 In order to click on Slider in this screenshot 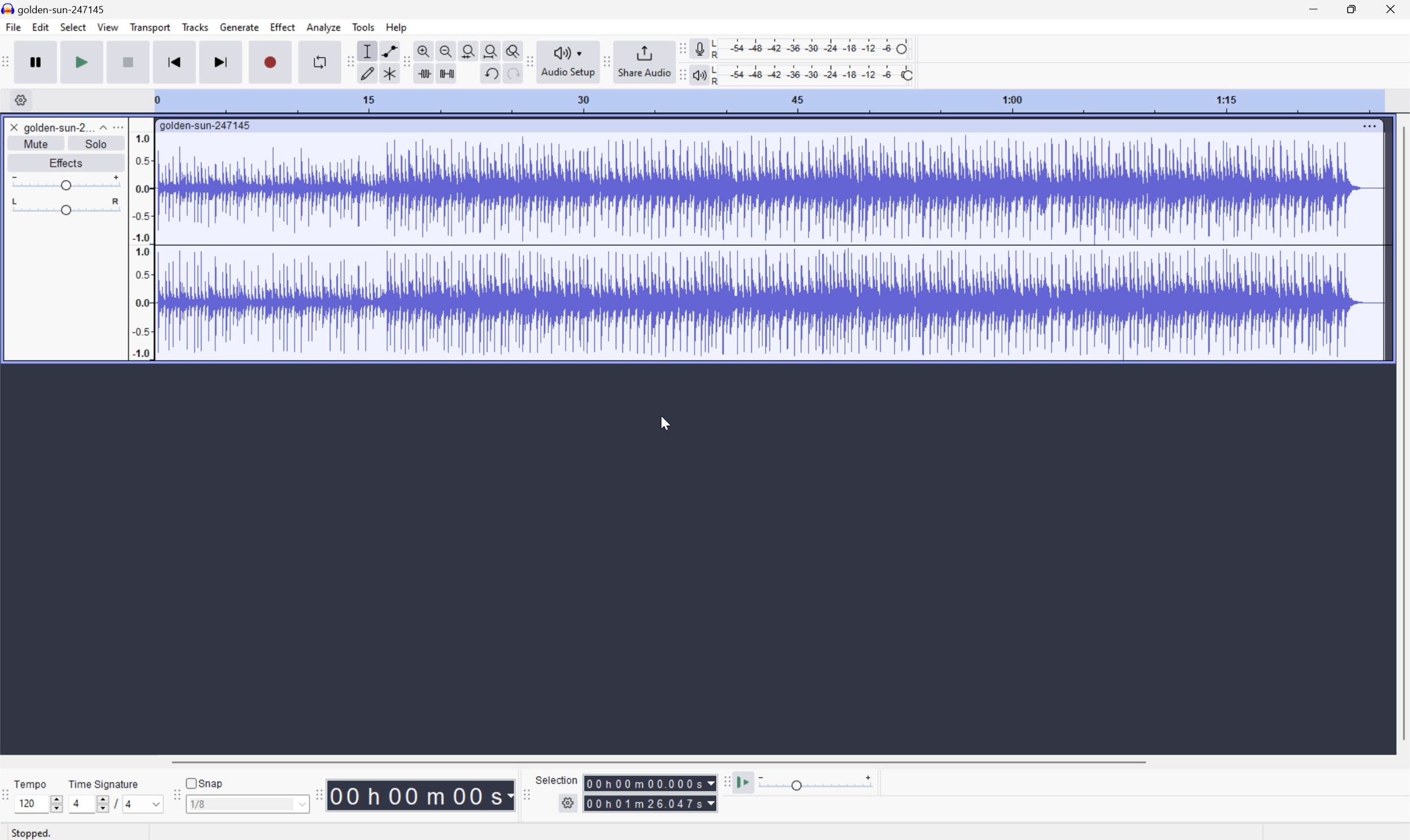, I will do `click(57, 804)`.